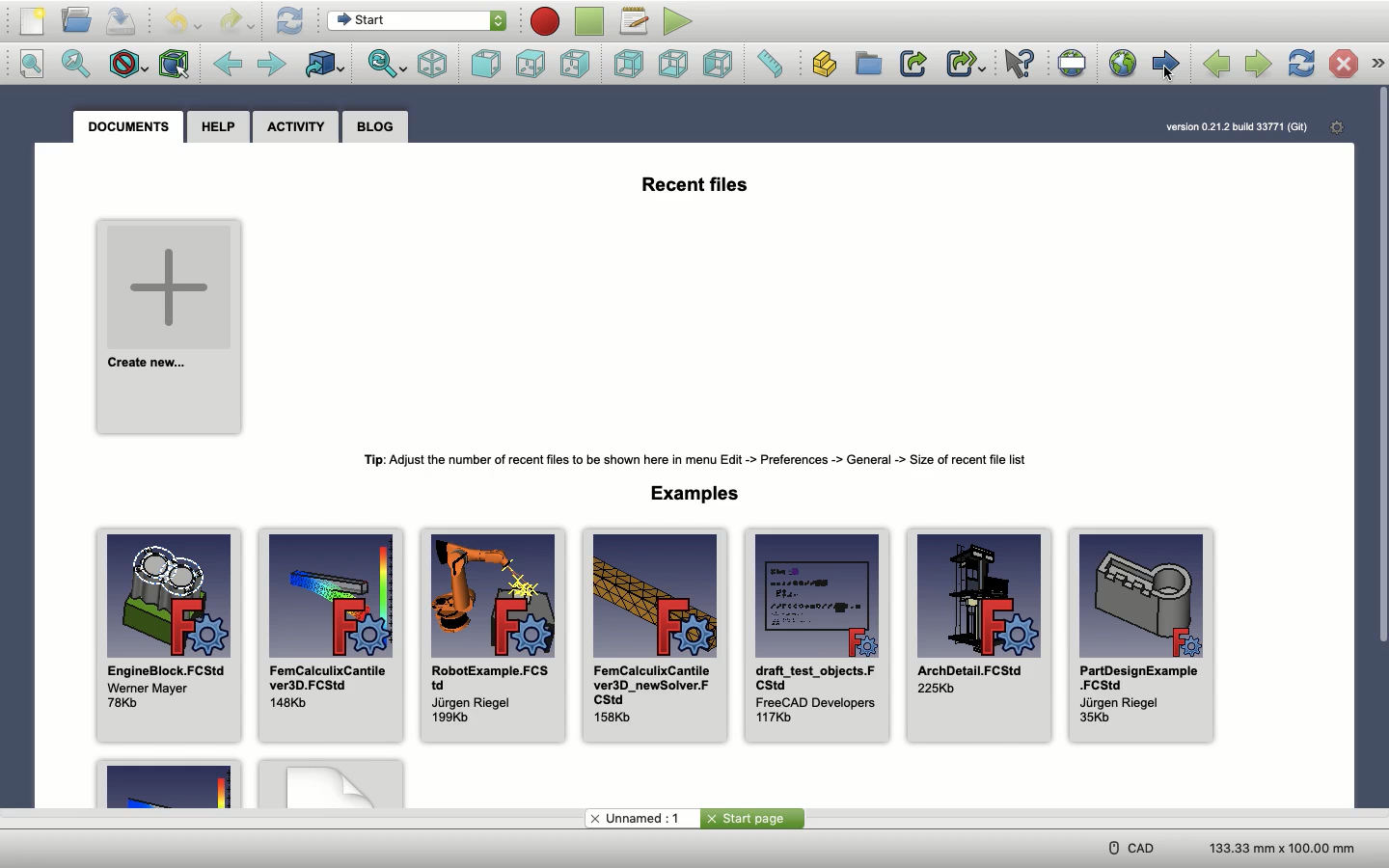 The width and height of the screenshot is (1389, 868). Describe the element at coordinates (171, 329) in the screenshot. I see `Create new` at that location.